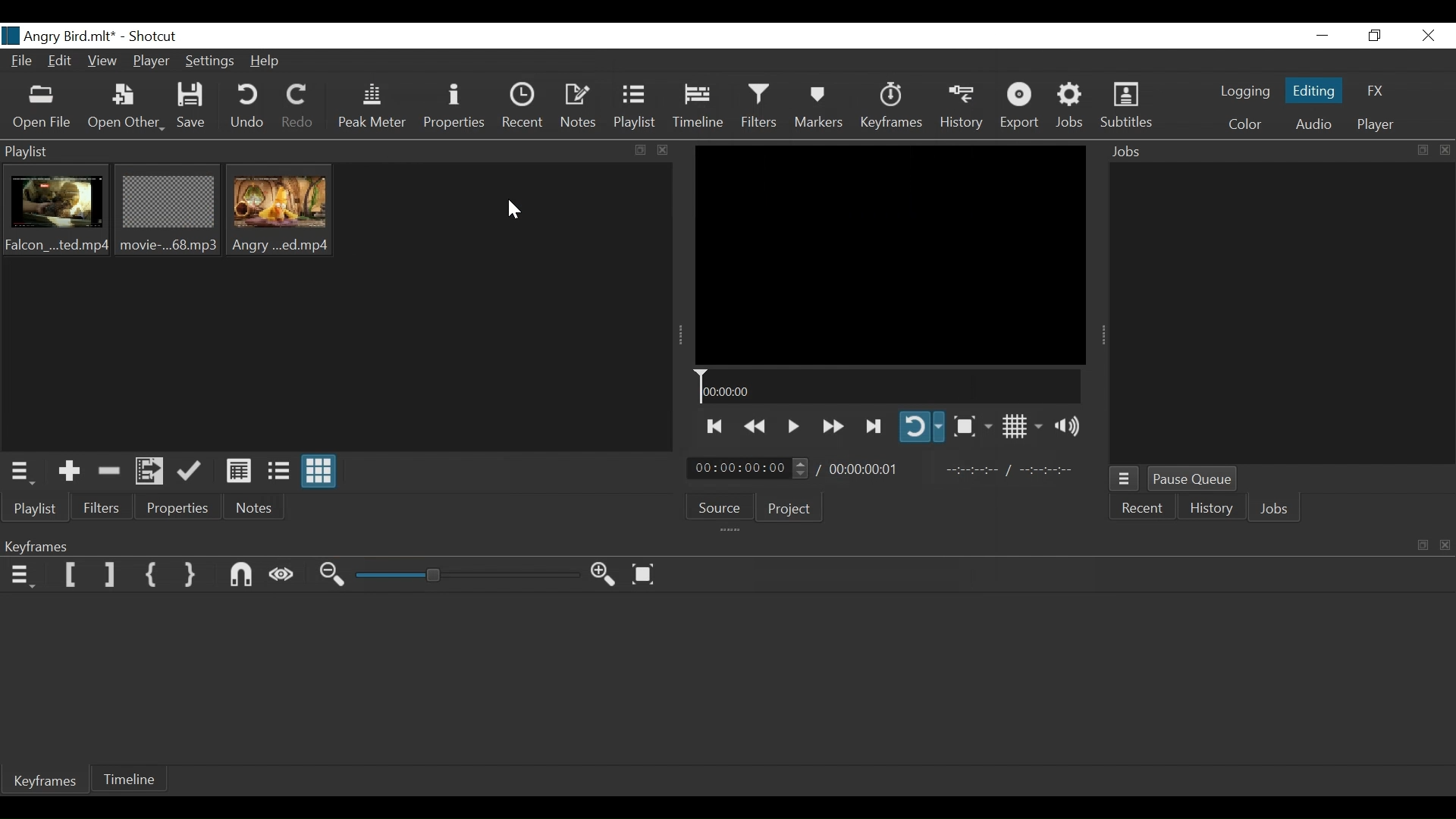  I want to click on Add files to the playlist, so click(152, 472).